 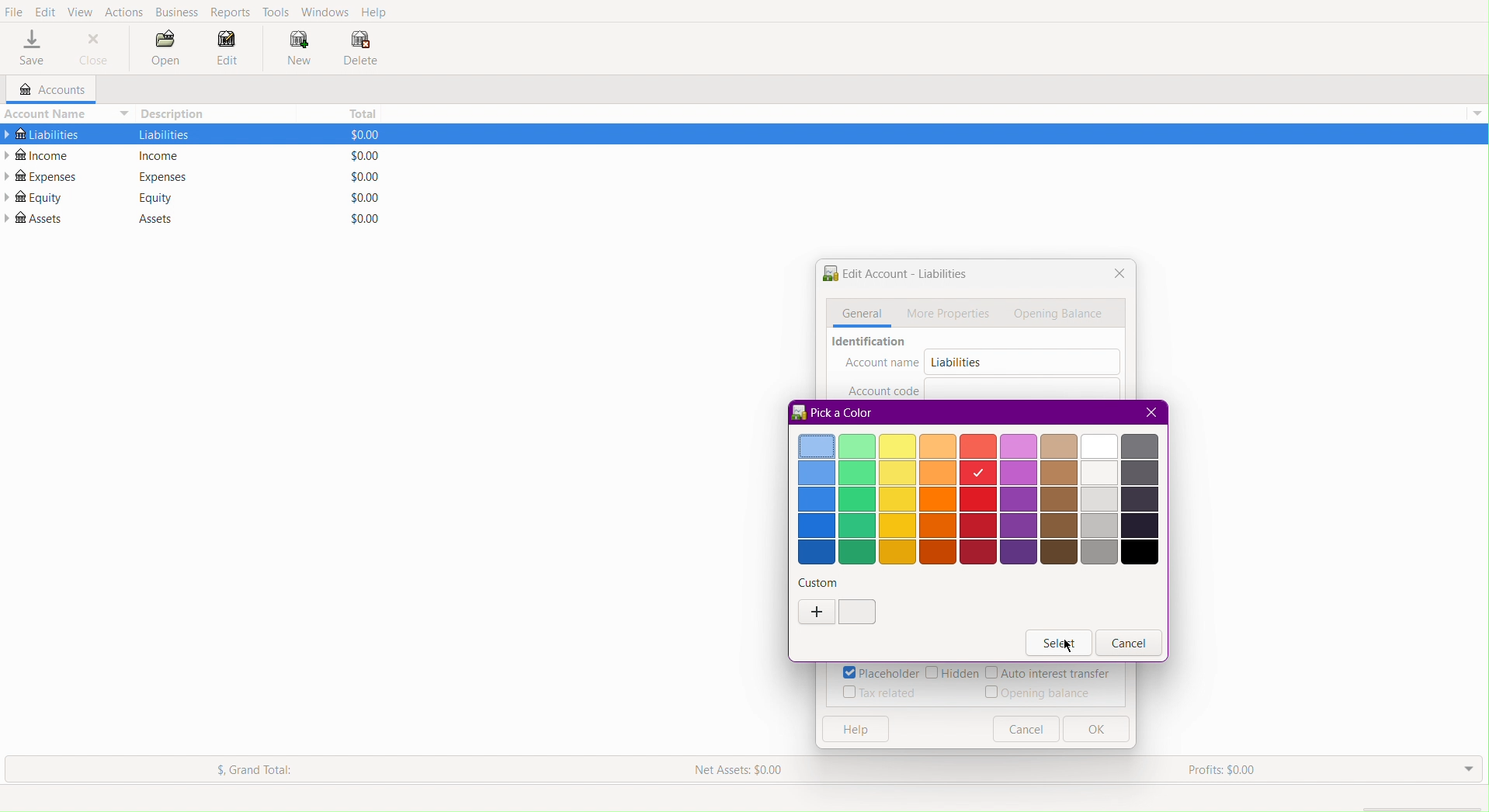 What do you see at coordinates (161, 156) in the screenshot?
I see `income` at bounding box center [161, 156].